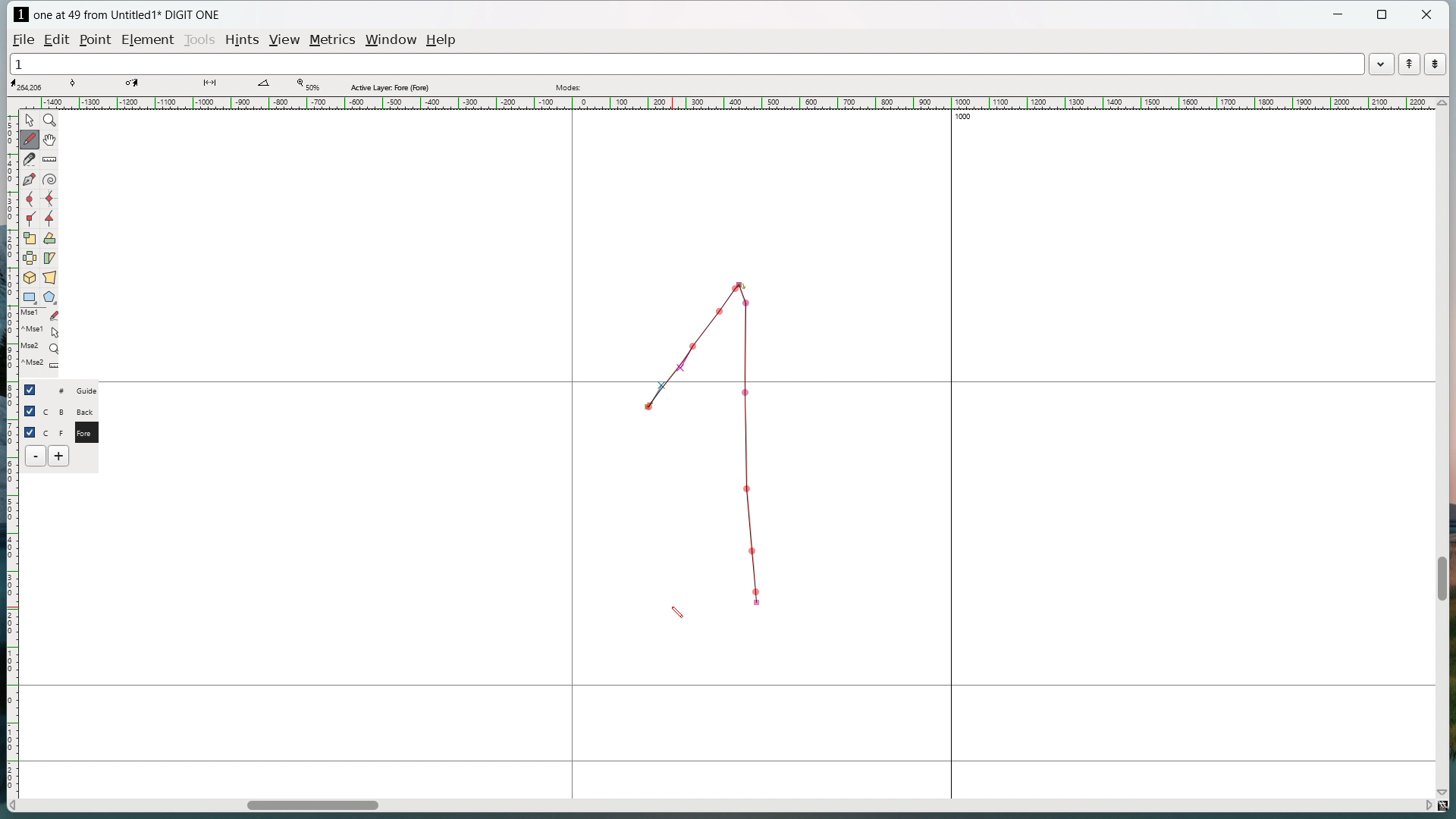 This screenshot has width=1456, height=819. Describe the element at coordinates (1436, 64) in the screenshot. I see `show the next word in the word list` at that location.